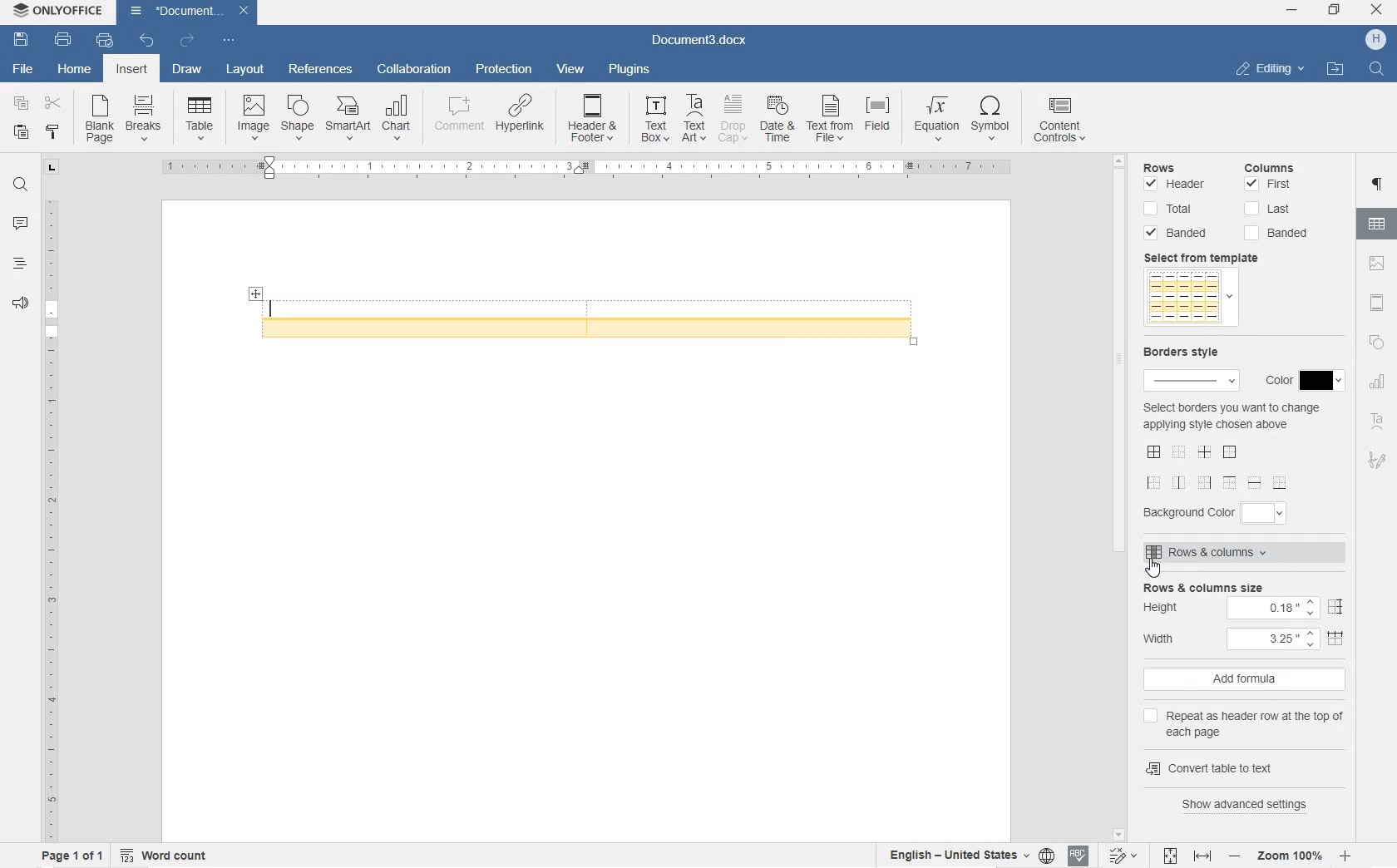 The width and height of the screenshot is (1397, 868). What do you see at coordinates (1248, 638) in the screenshot?
I see `Width` at bounding box center [1248, 638].